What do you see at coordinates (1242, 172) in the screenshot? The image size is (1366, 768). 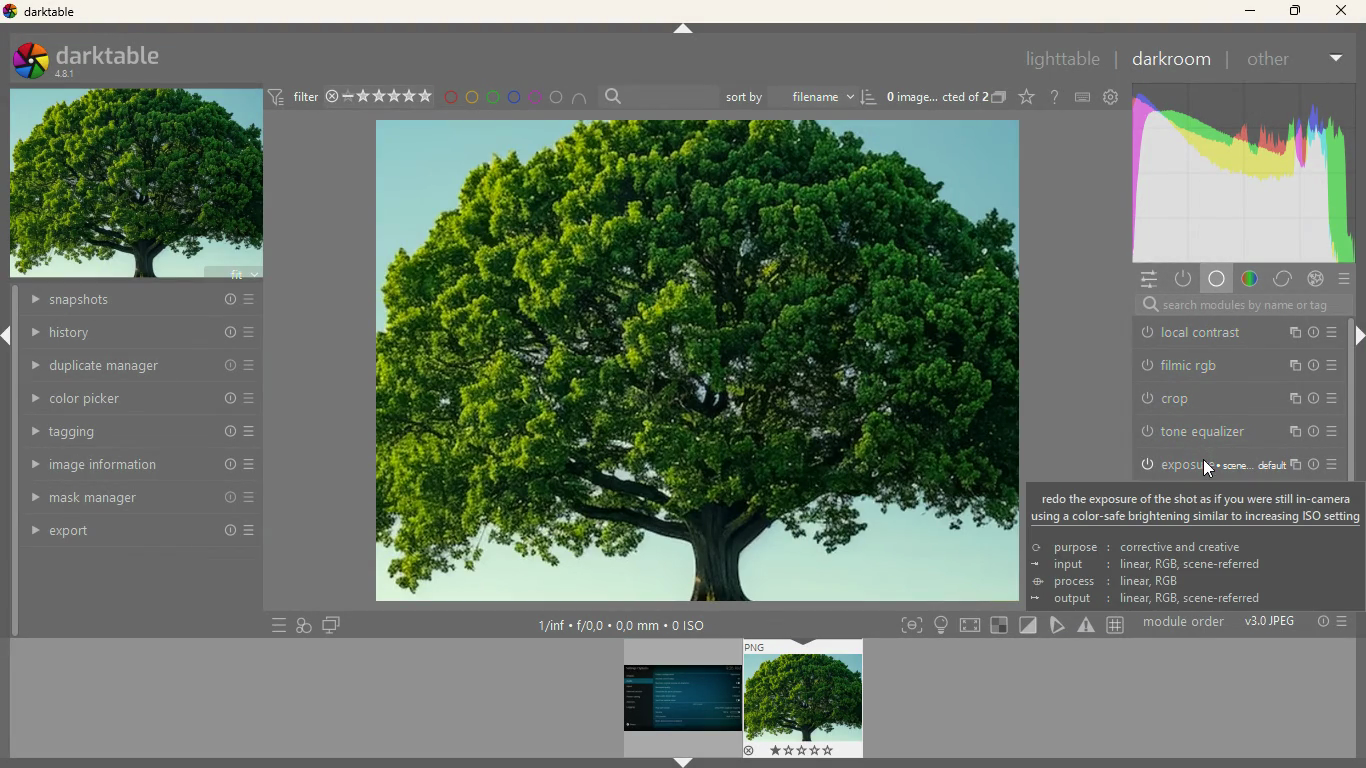 I see `color` at bounding box center [1242, 172].